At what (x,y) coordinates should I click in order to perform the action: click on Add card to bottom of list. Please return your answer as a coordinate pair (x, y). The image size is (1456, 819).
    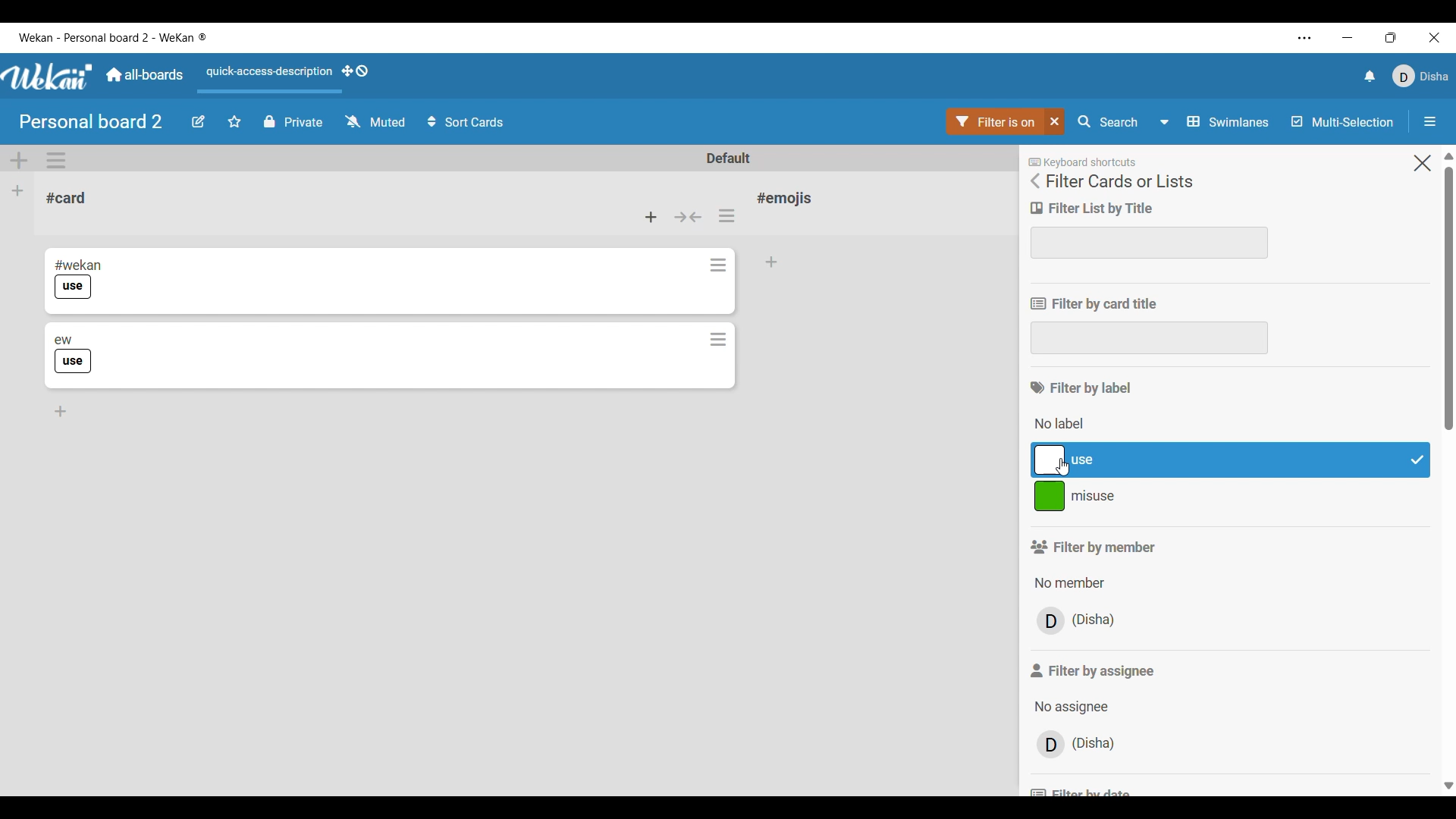
    Looking at the image, I should click on (773, 262).